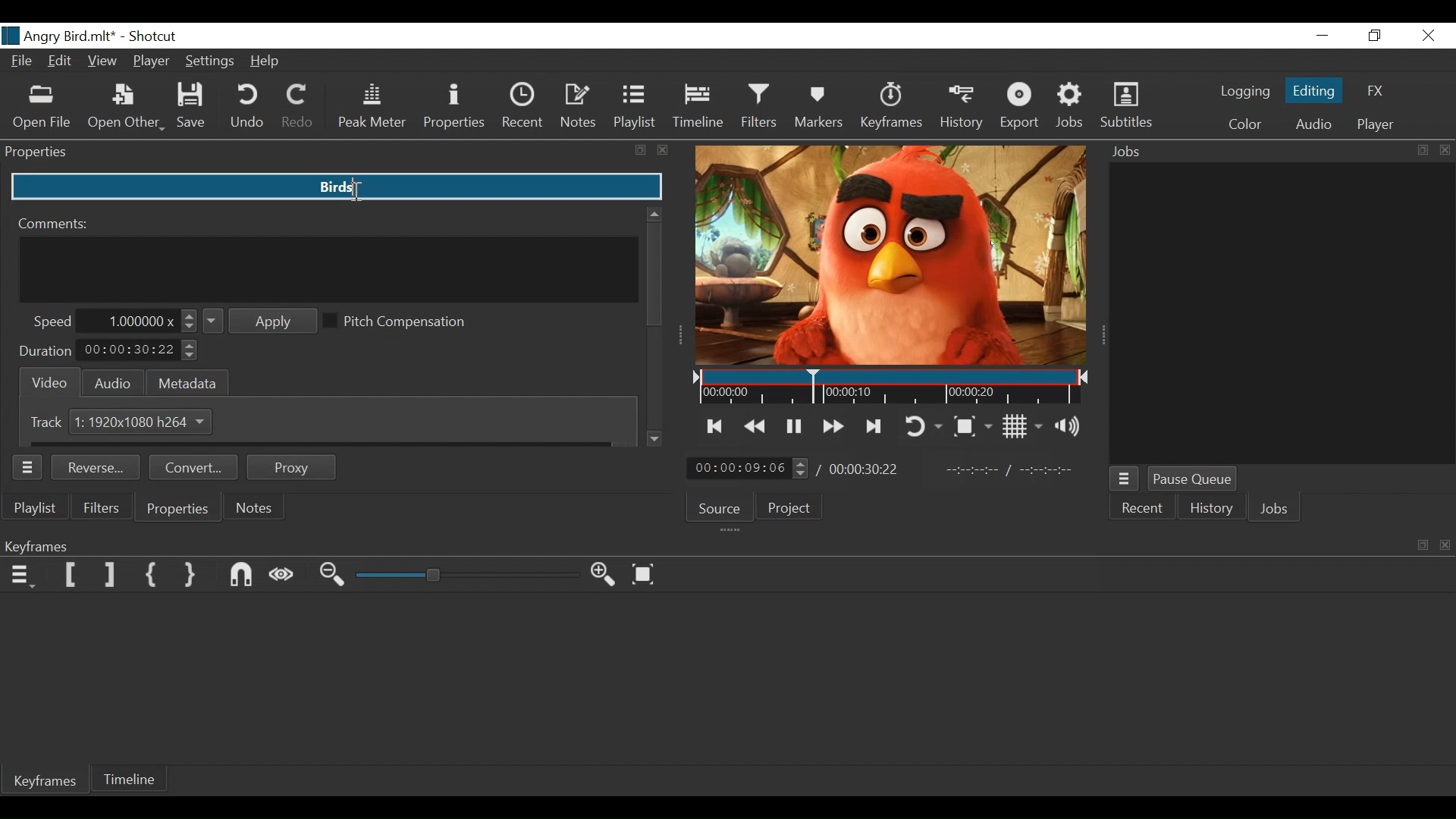  What do you see at coordinates (298, 108) in the screenshot?
I see `Redo` at bounding box center [298, 108].